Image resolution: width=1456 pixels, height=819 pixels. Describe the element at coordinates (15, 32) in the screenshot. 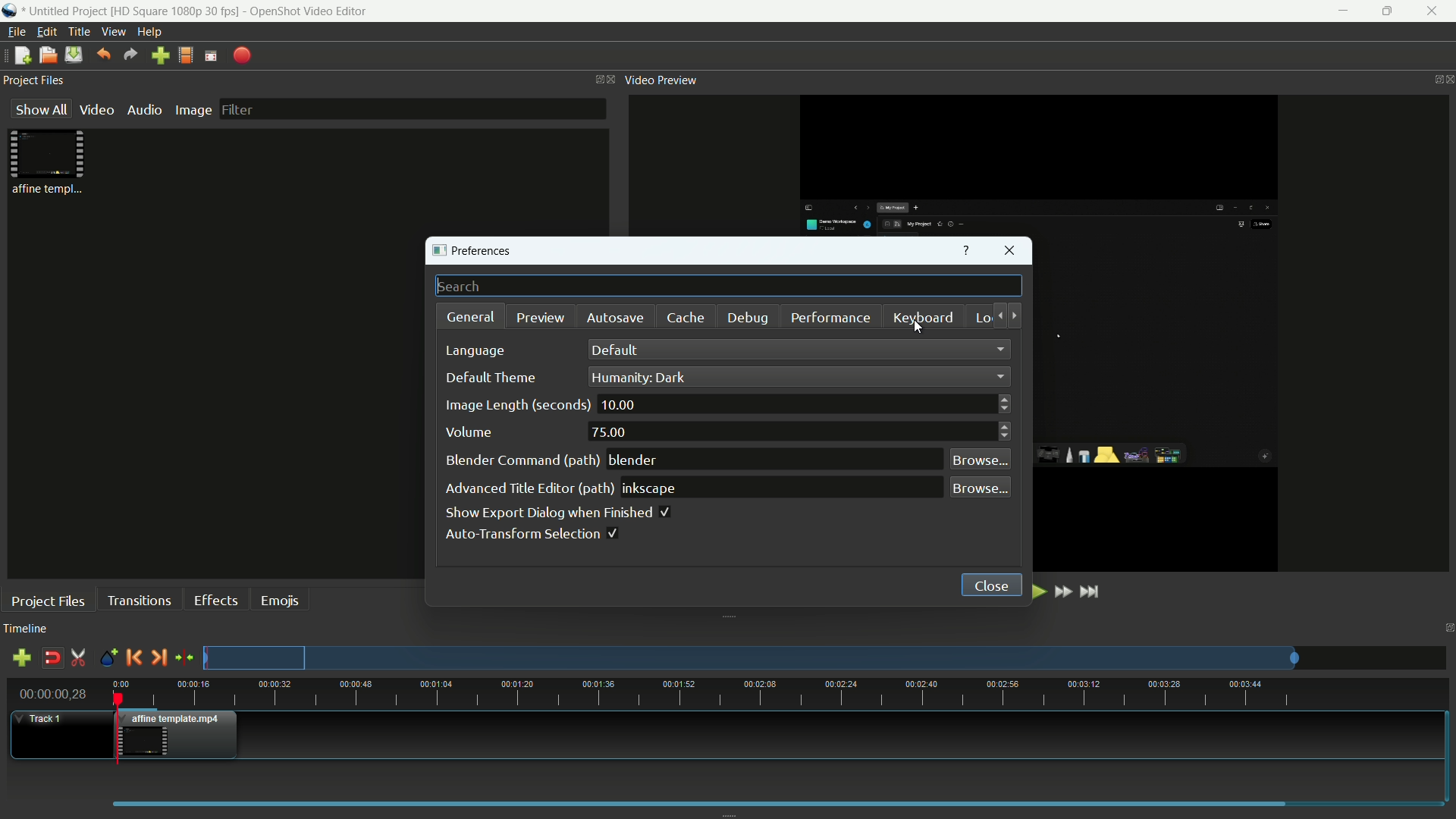

I see `file menu` at that location.